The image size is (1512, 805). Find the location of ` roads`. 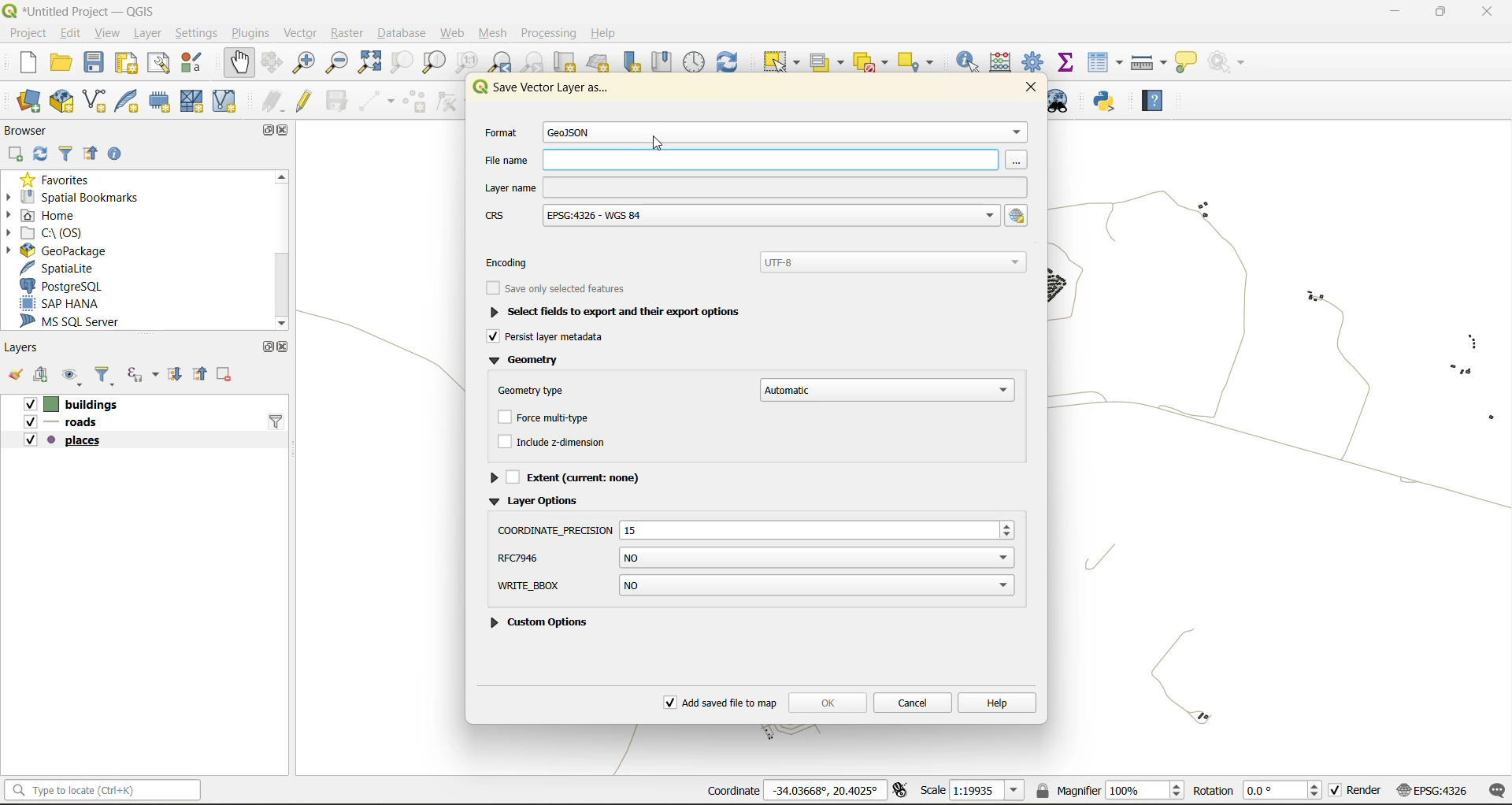

 roads is located at coordinates (68, 423).